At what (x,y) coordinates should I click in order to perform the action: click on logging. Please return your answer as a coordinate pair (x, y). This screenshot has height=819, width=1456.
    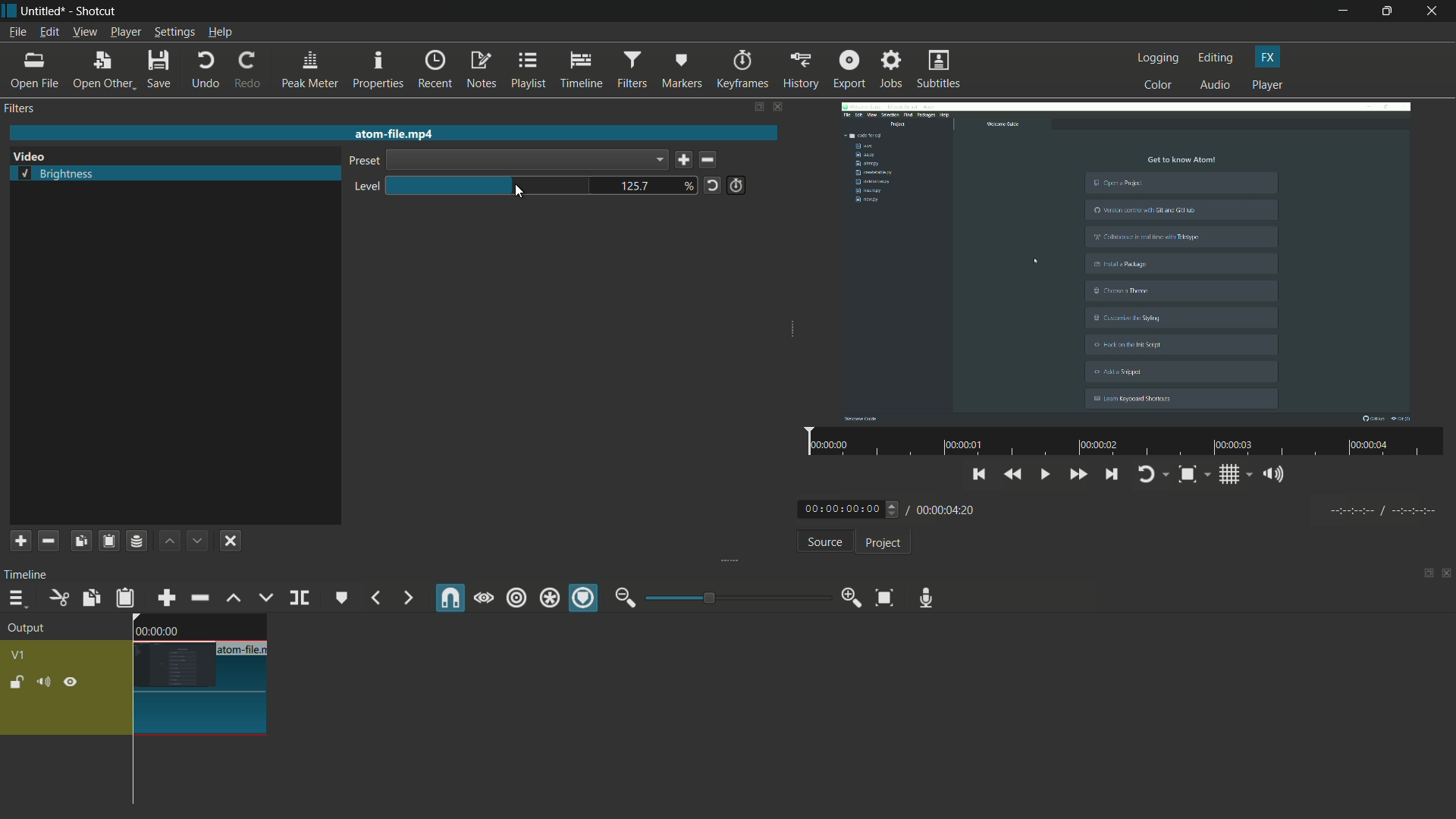
    Looking at the image, I should click on (1159, 58).